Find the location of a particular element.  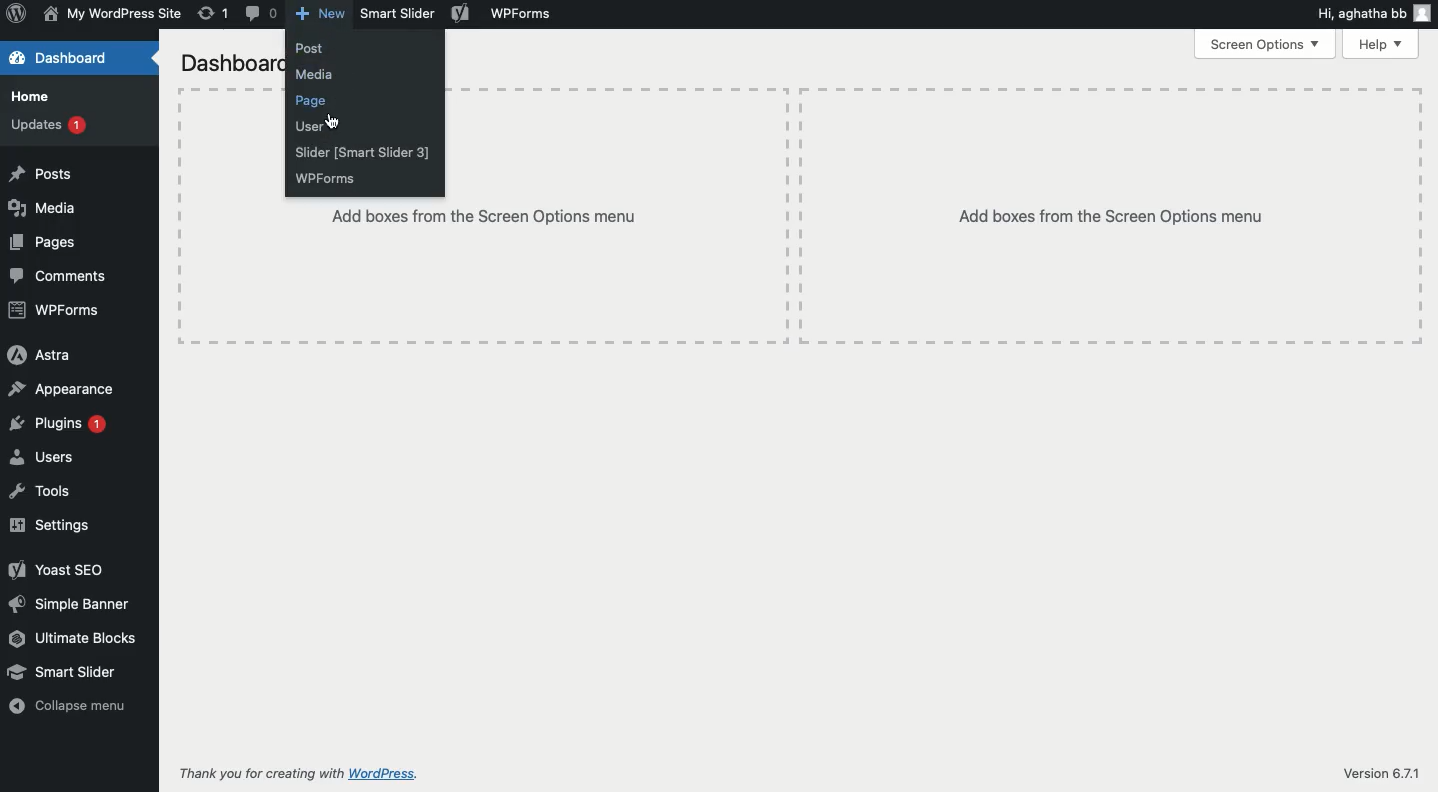

Thank you for creating with WordPress is located at coordinates (302, 773).